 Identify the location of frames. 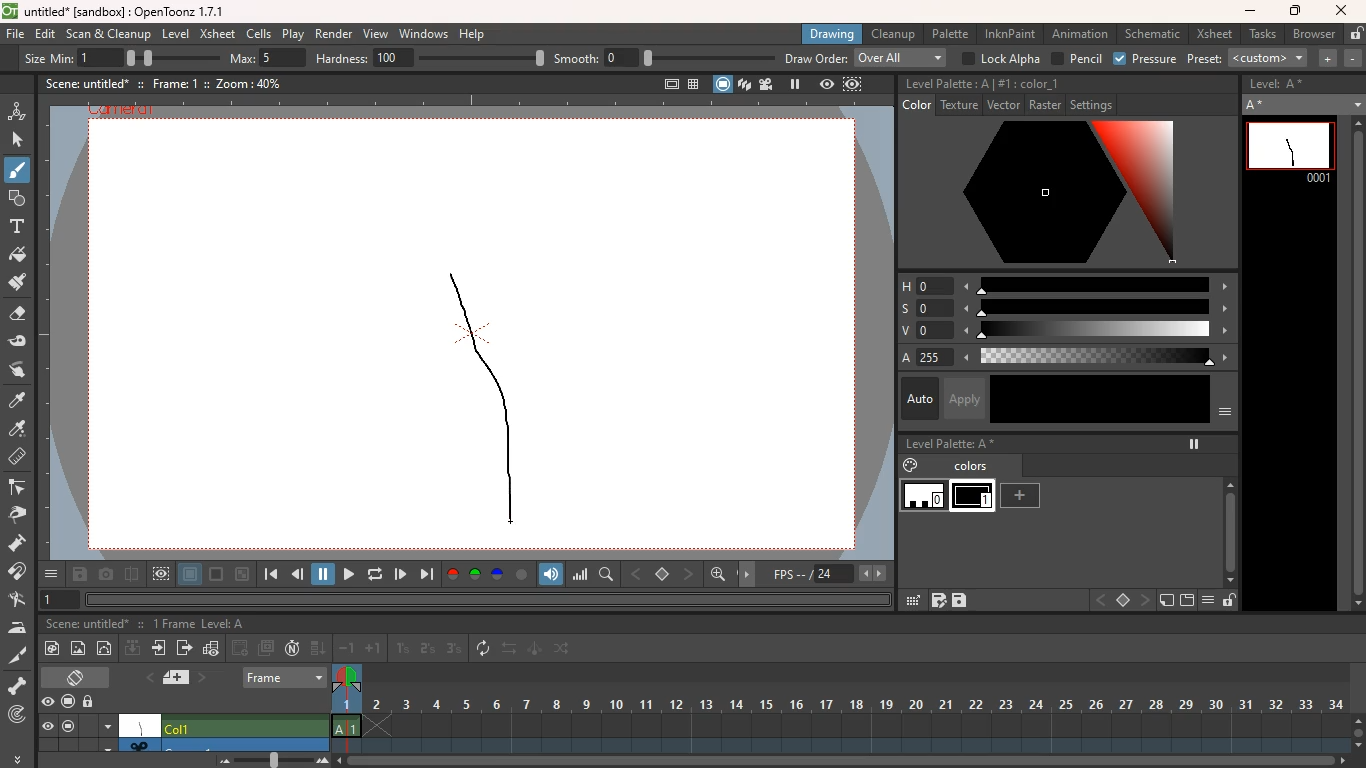
(855, 707).